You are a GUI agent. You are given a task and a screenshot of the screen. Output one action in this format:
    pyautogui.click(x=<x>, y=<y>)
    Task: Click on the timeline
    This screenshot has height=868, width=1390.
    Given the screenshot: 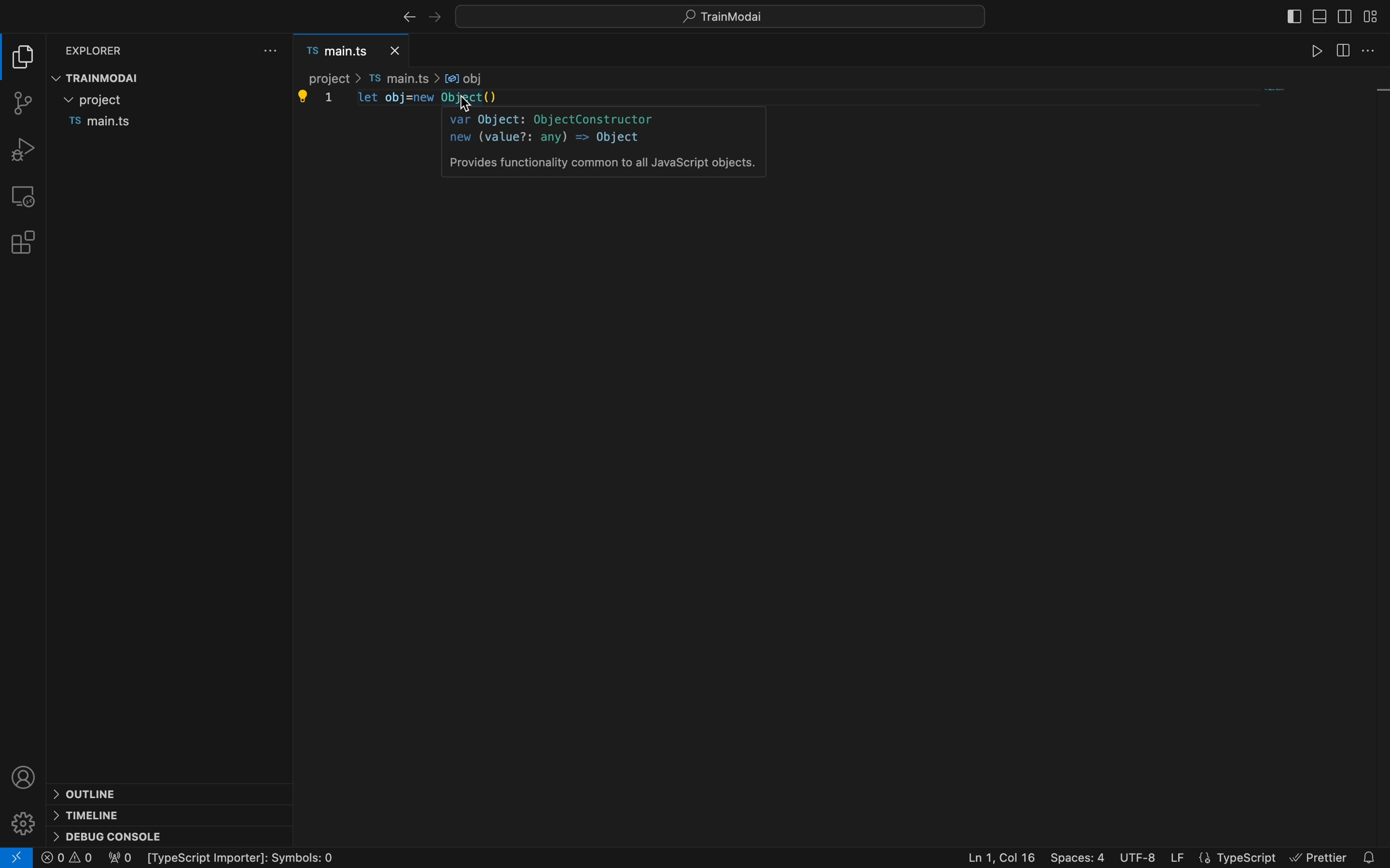 What is the action you would take?
    pyautogui.click(x=92, y=815)
    